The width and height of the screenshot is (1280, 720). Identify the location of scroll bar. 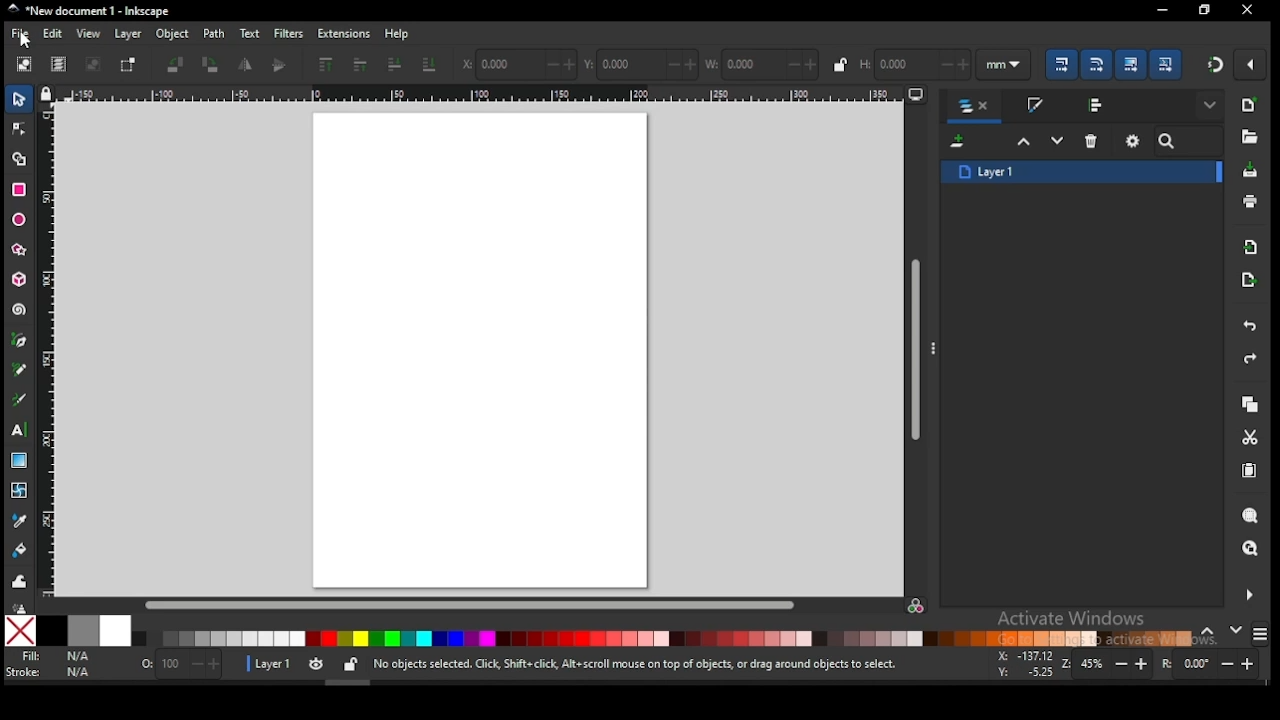
(470, 605).